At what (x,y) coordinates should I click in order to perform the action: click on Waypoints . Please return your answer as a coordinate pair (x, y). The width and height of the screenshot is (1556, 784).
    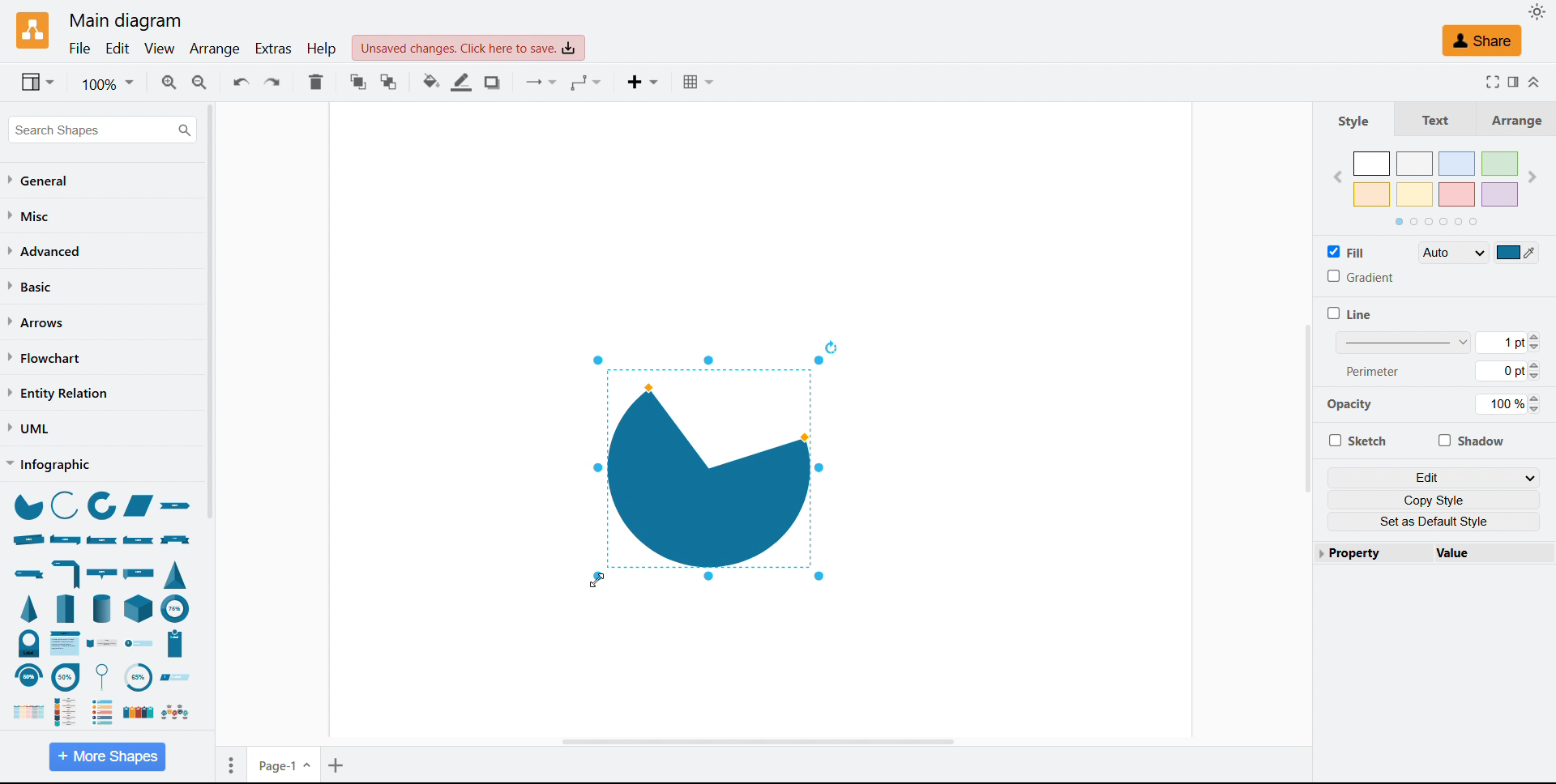
    Looking at the image, I should click on (587, 83).